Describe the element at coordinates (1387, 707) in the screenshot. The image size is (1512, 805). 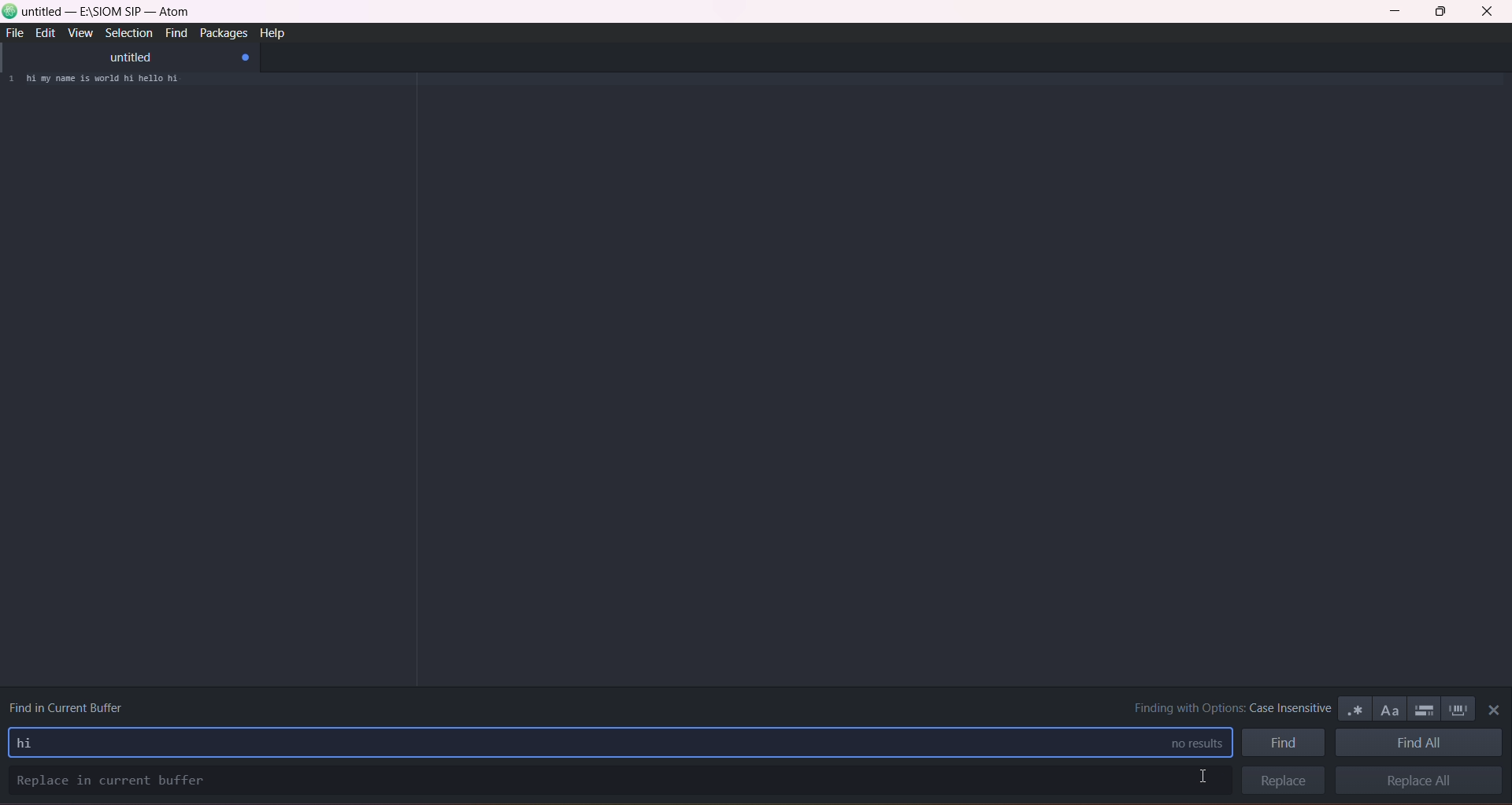
I see `match case` at that location.